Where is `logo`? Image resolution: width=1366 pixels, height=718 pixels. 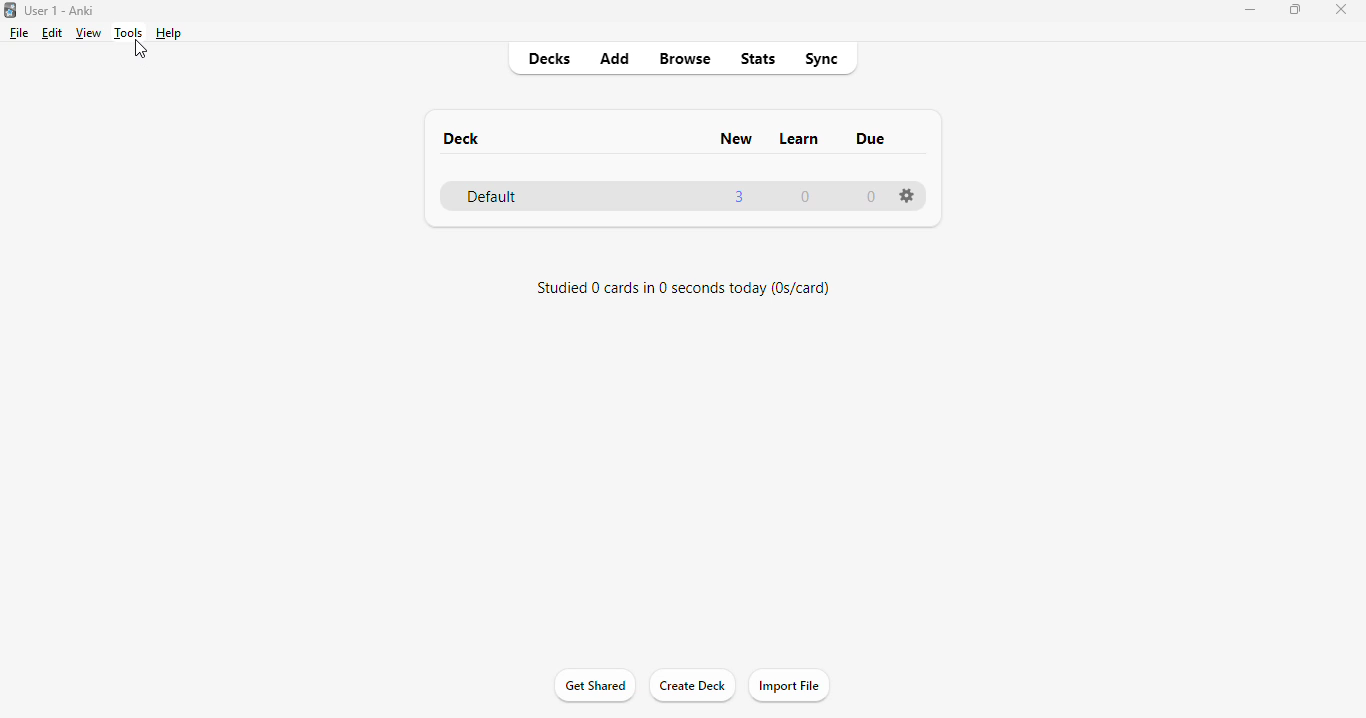 logo is located at coordinates (9, 10).